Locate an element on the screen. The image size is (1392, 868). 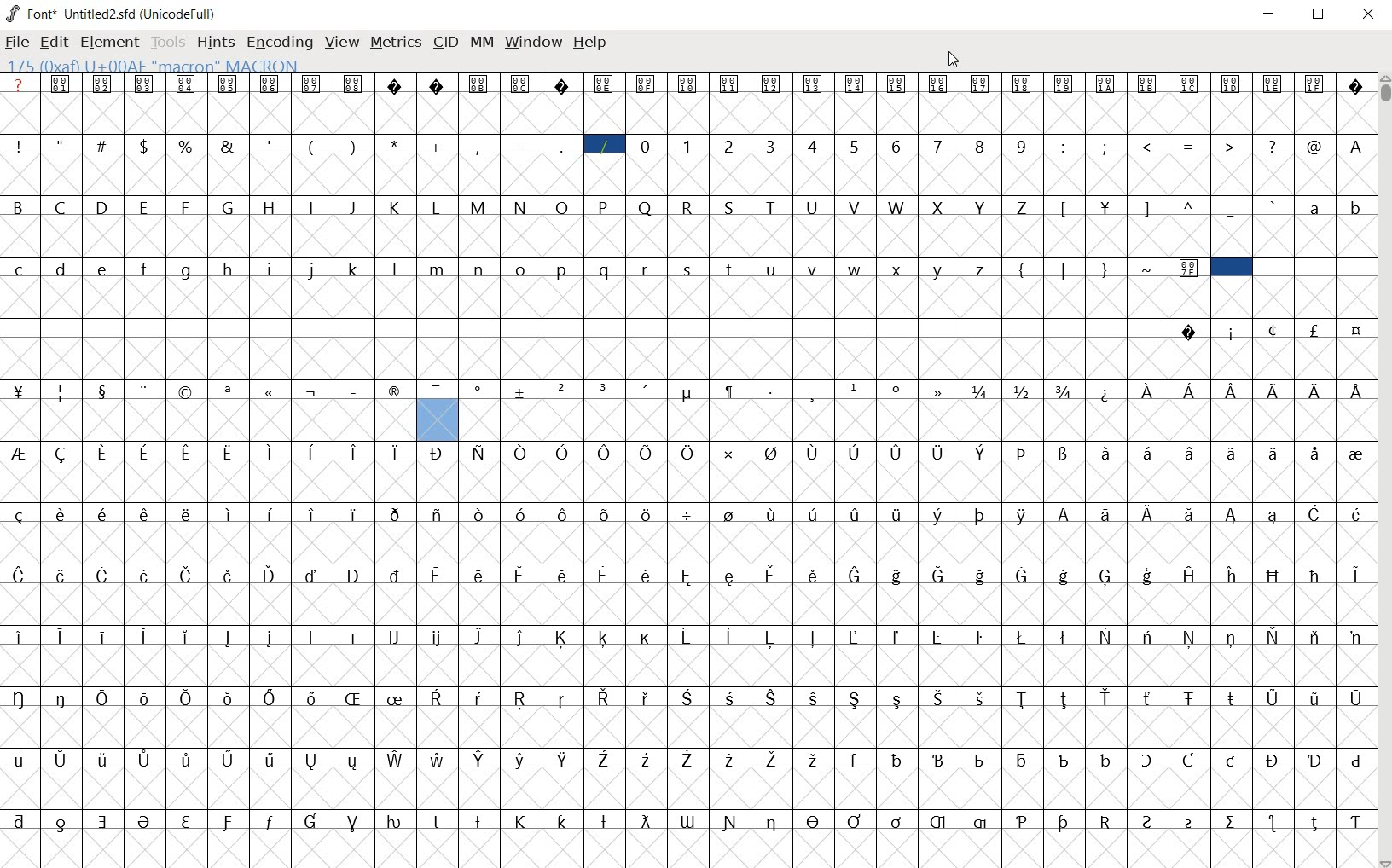
> is located at coordinates (1232, 145).